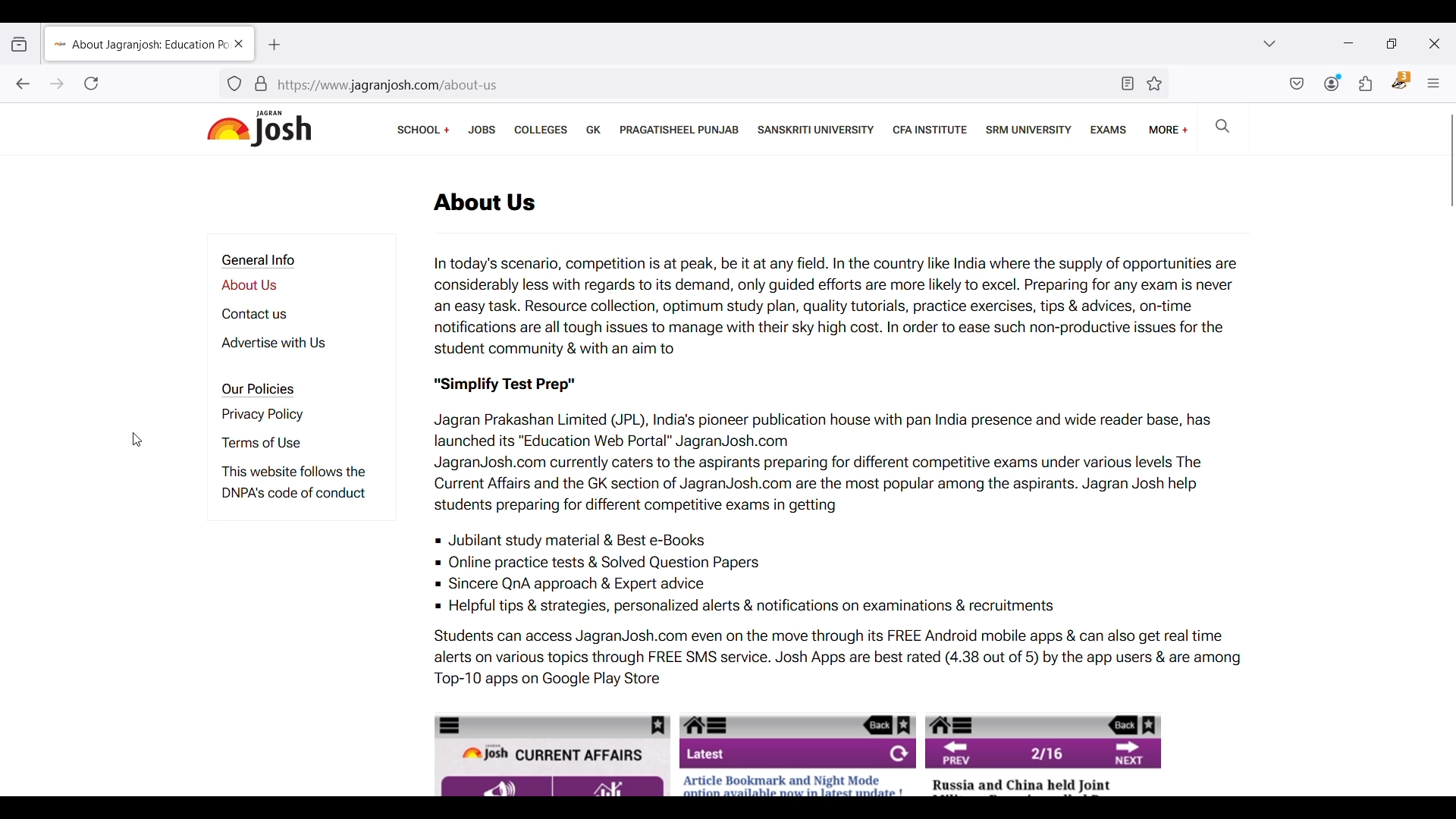  What do you see at coordinates (1433, 83) in the screenshot?
I see `Open application menu` at bounding box center [1433, 83].